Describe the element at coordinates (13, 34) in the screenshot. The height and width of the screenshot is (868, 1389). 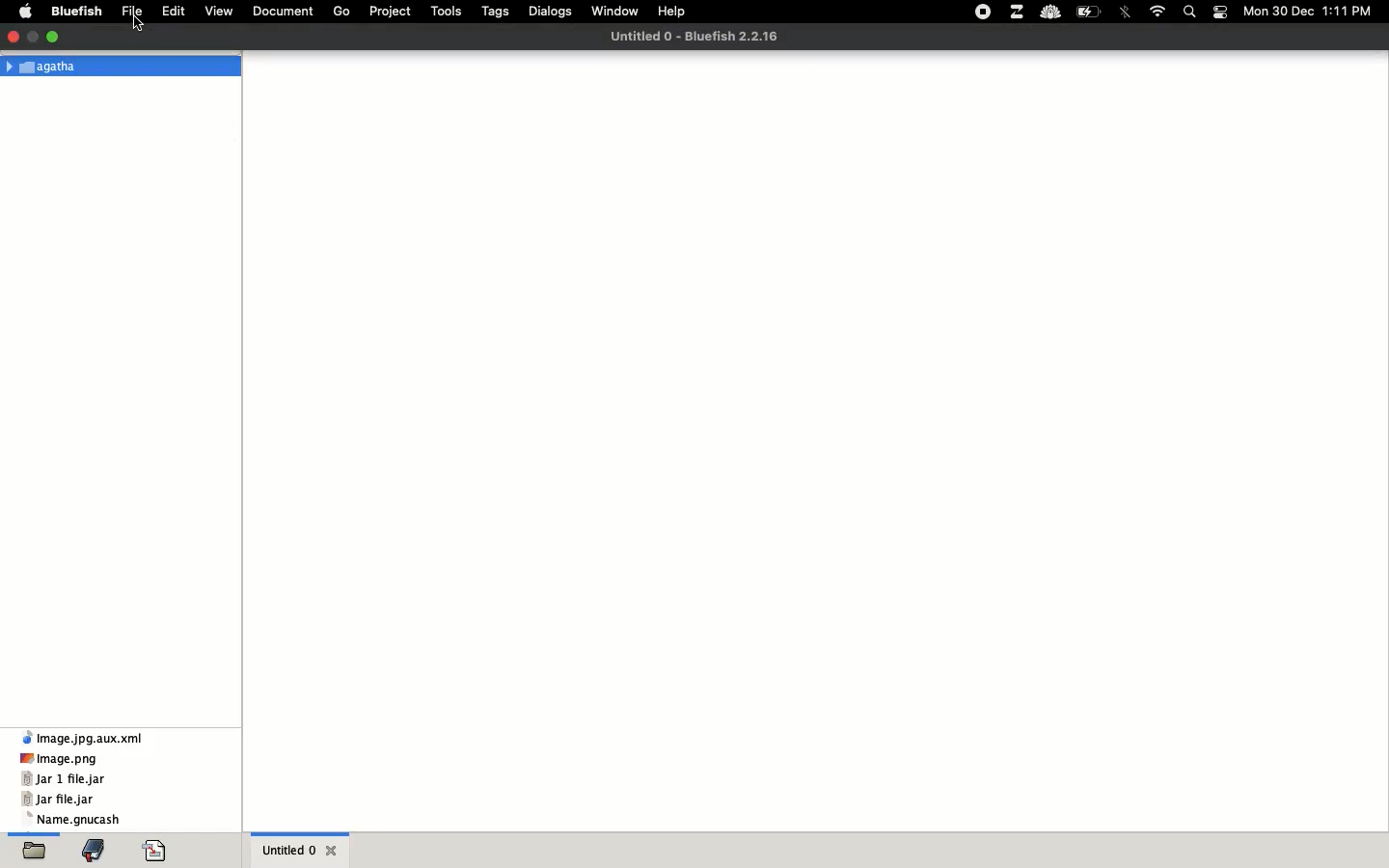
I see `close` at that location.